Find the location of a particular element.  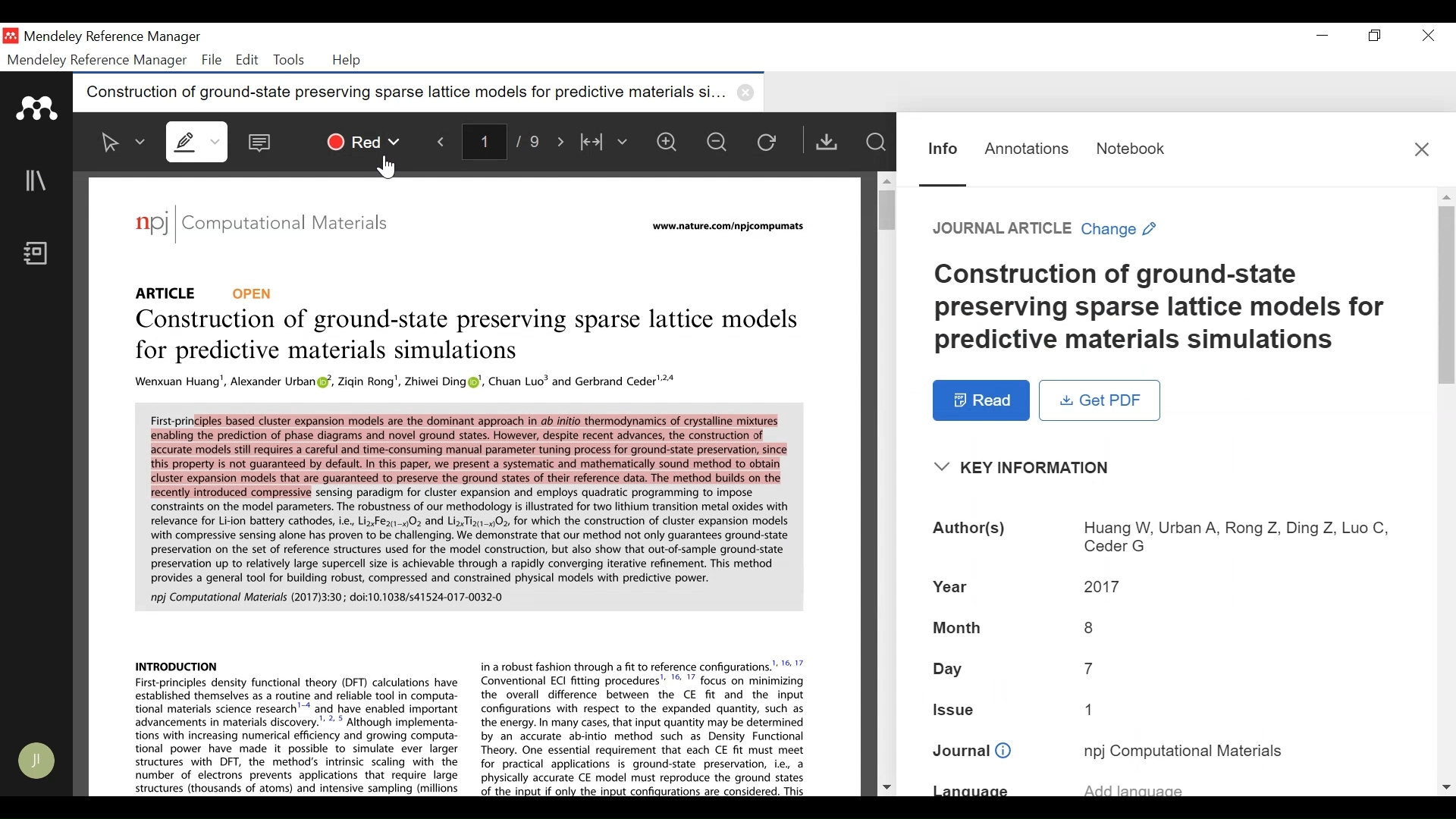

Edit is located at coordinates (248, 61).